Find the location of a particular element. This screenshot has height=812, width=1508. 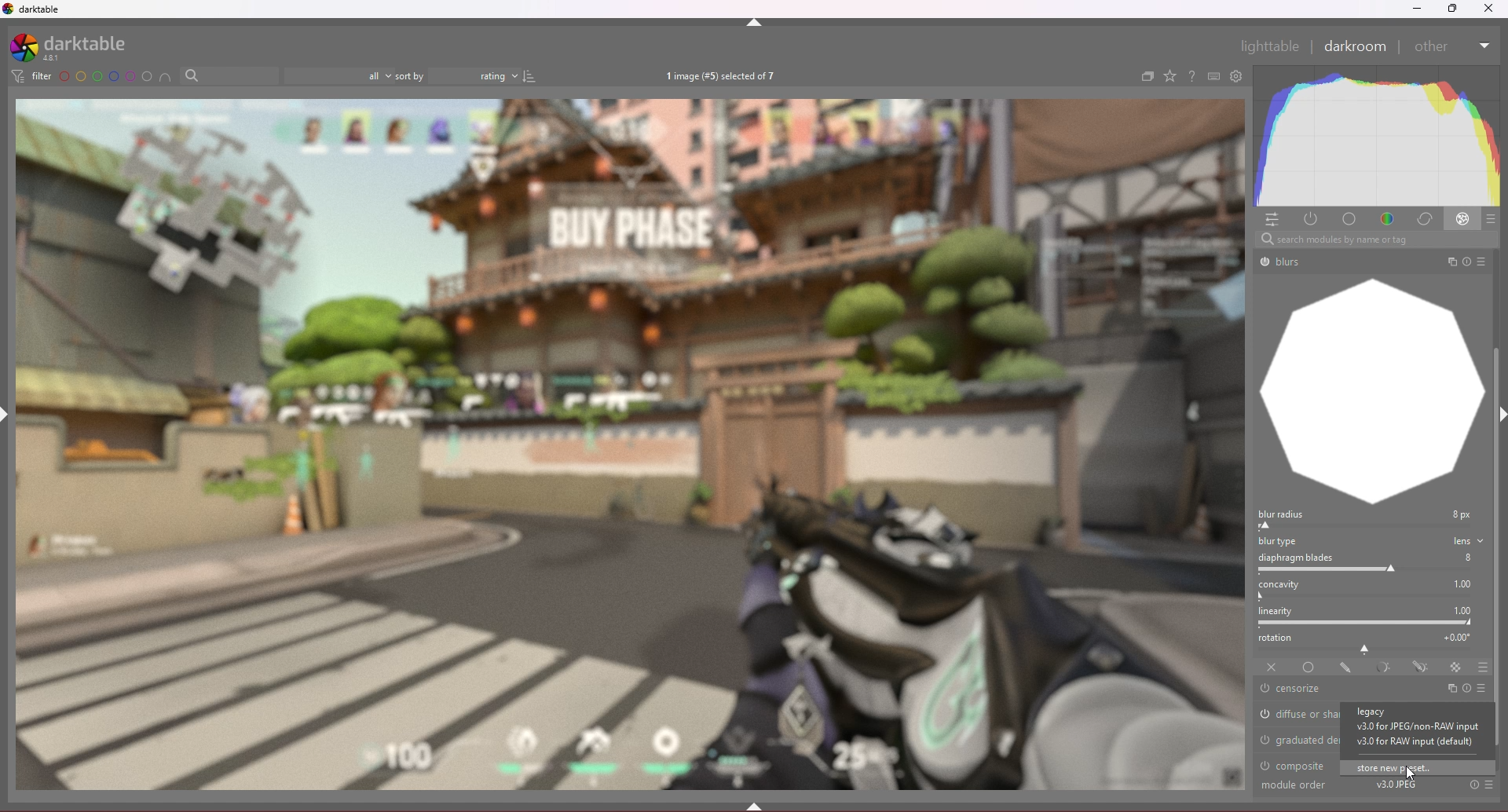

base is located at coordinates (1352, 219).